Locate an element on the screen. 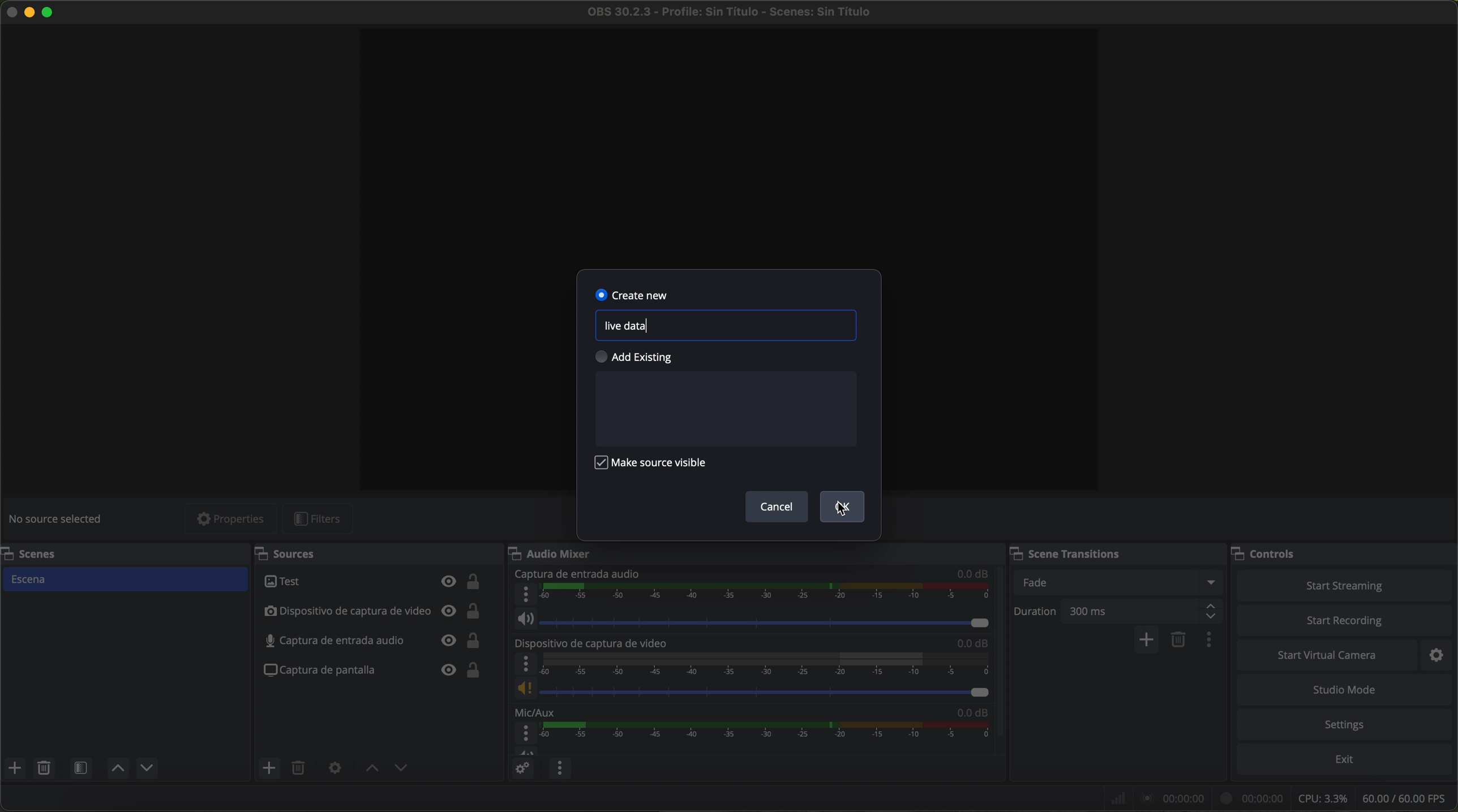 The height and width of the screenshot is (812, 1458). start virtual camera is located at coordinates (1328, 656).